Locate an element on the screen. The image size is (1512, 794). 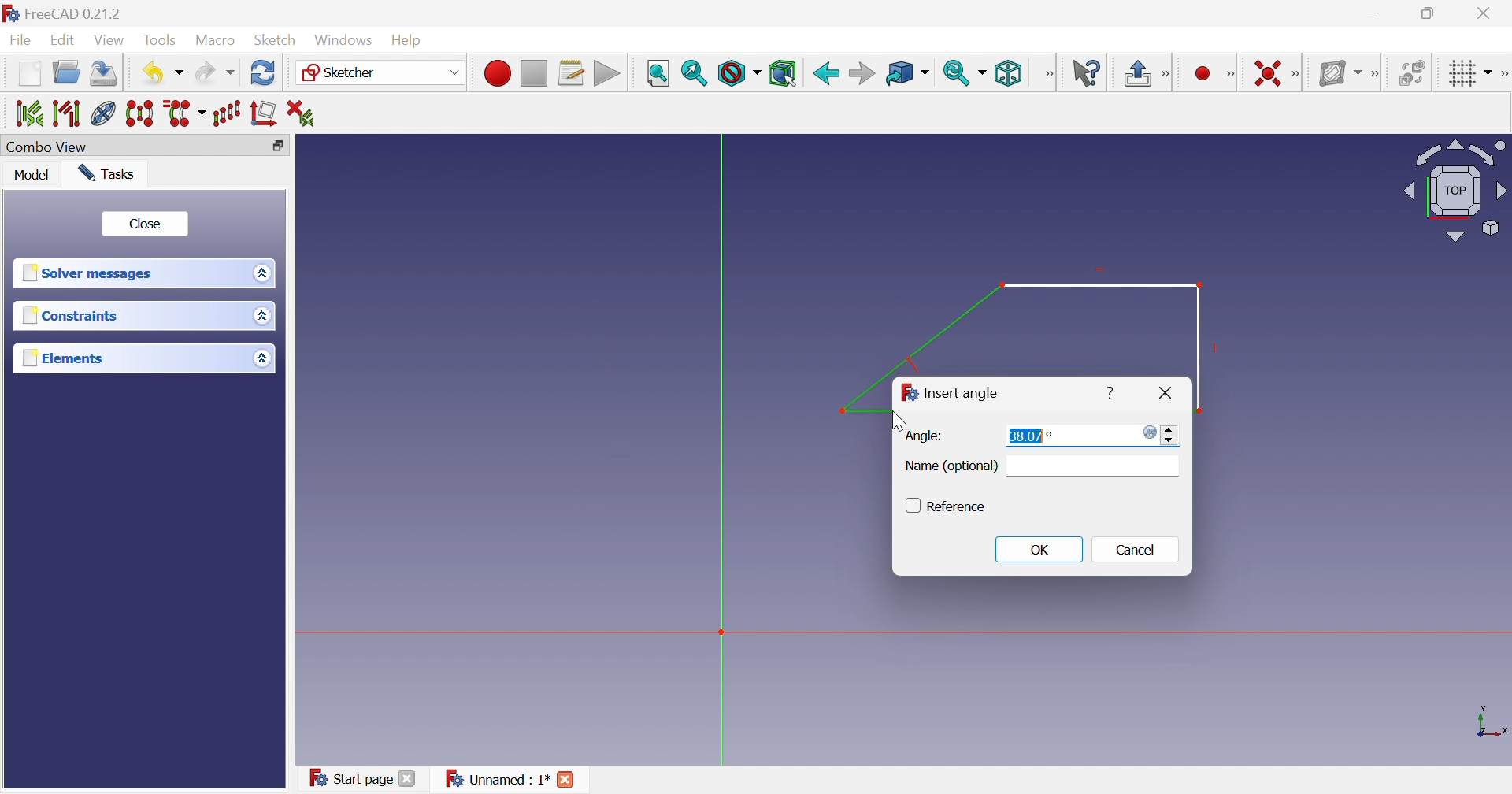
FreeCAD 0.21.2 is located at coordinates (67, 12).